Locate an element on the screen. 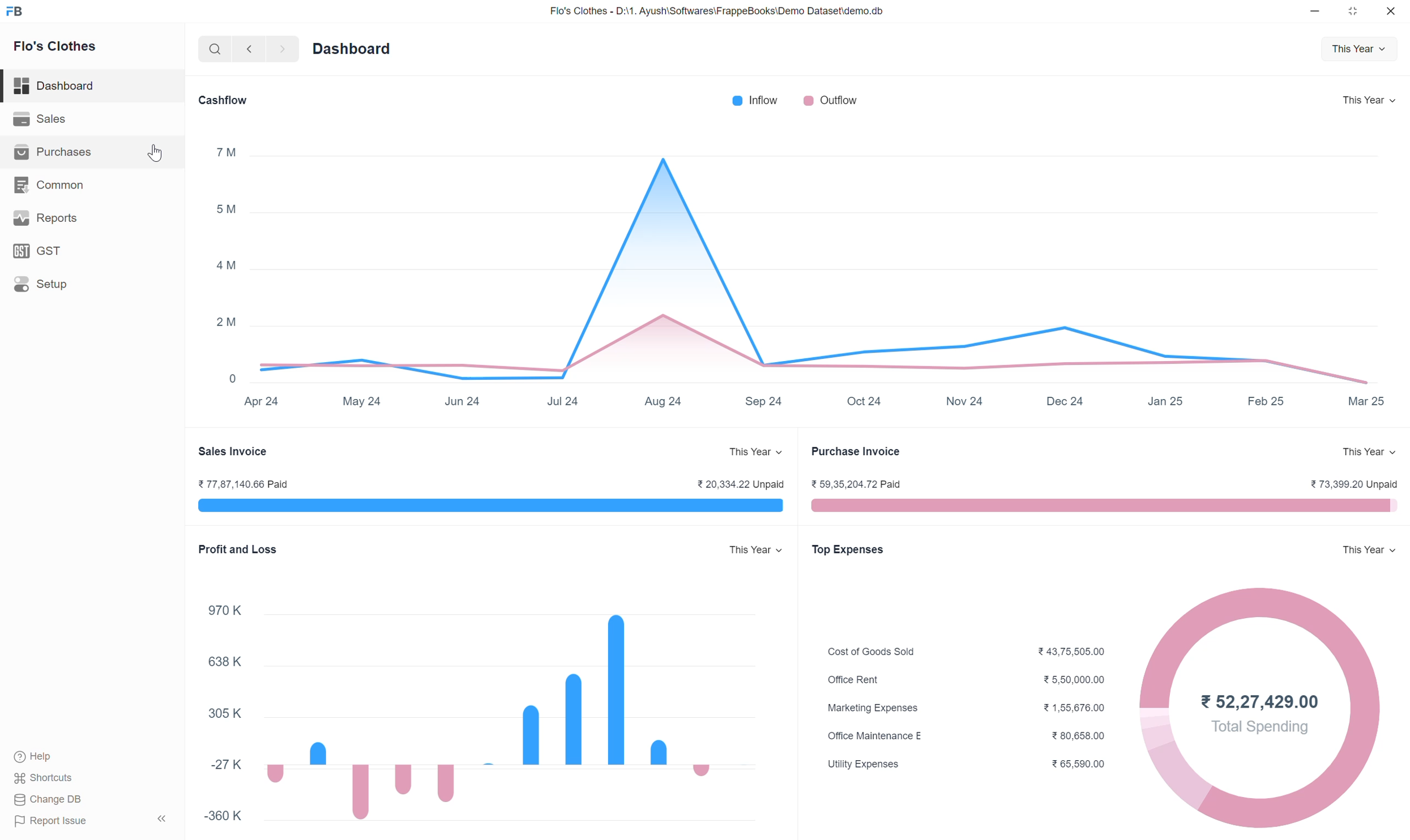 This screenshot has width=1410, height=840. Office Maintenance E ¥80,658.00 is located at coordinates (956, 734).